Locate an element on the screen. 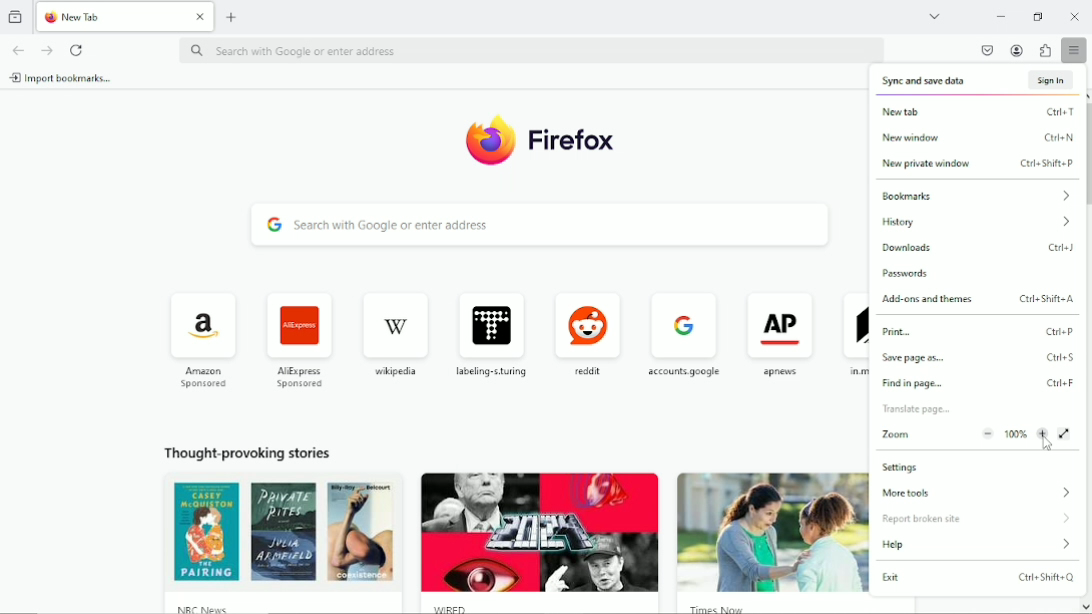 The width and height of the screenshot is (1092, 614). Settings is located at coordinates (904, 468).